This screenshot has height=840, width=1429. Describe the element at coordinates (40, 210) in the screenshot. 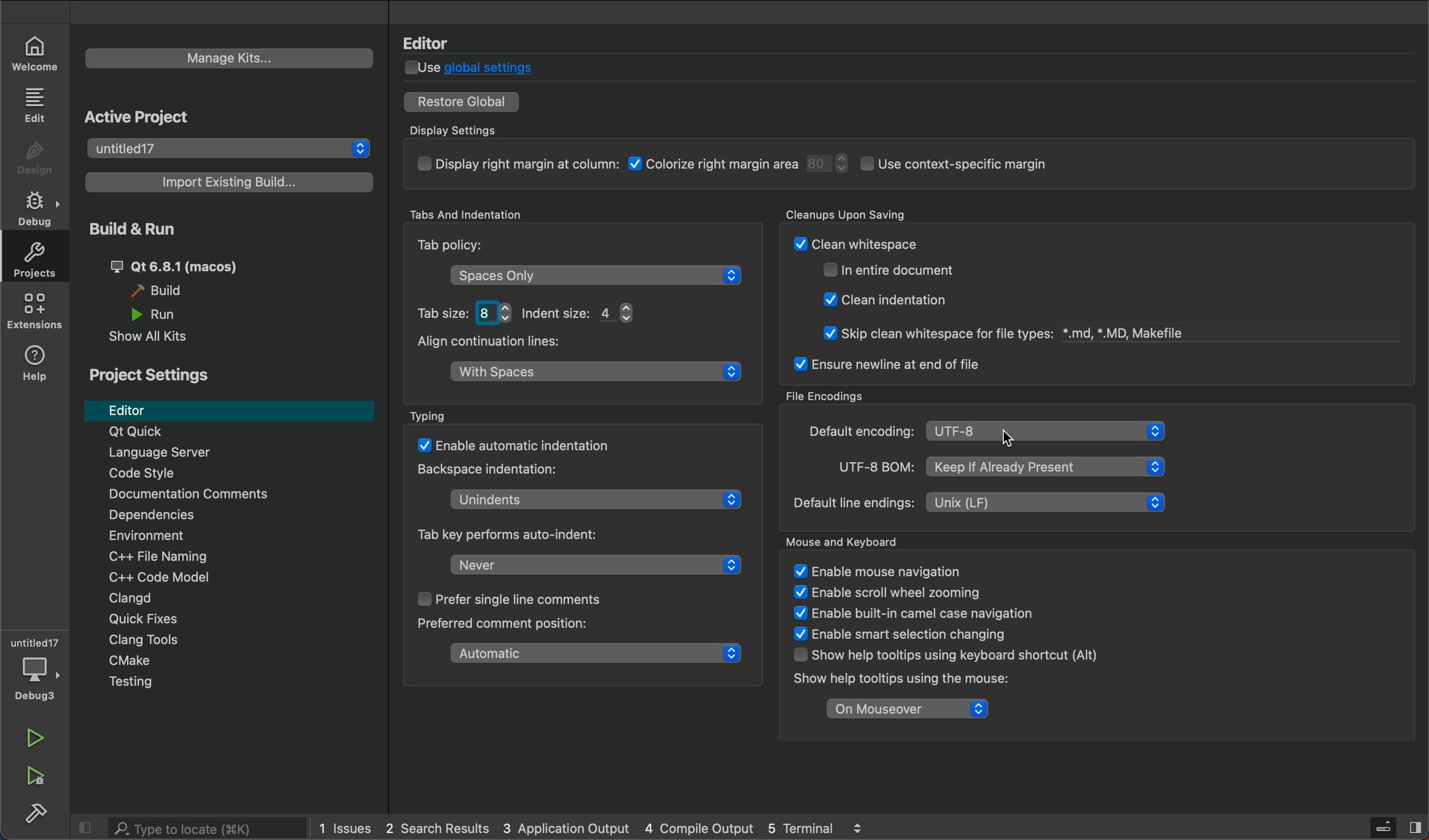

I see `debug` at that location.